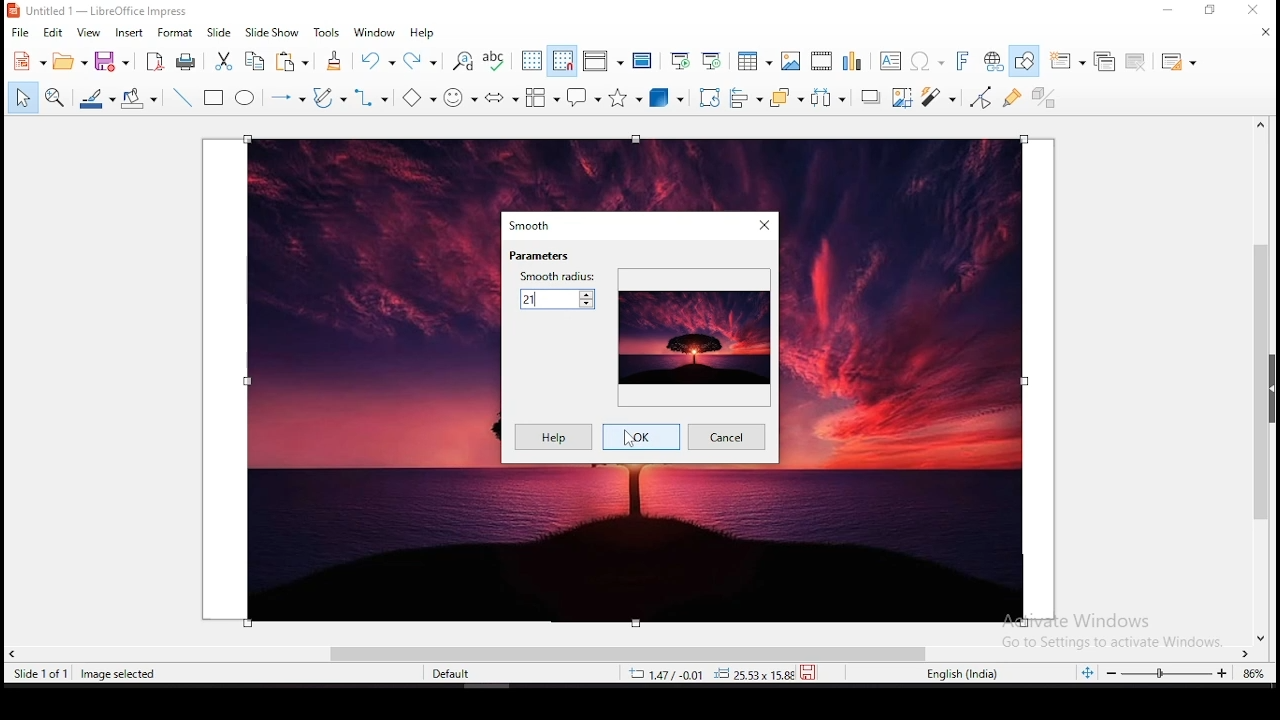 The height and width of the screenshot is (720, 1280). I want to click on print, so click(183, 61).